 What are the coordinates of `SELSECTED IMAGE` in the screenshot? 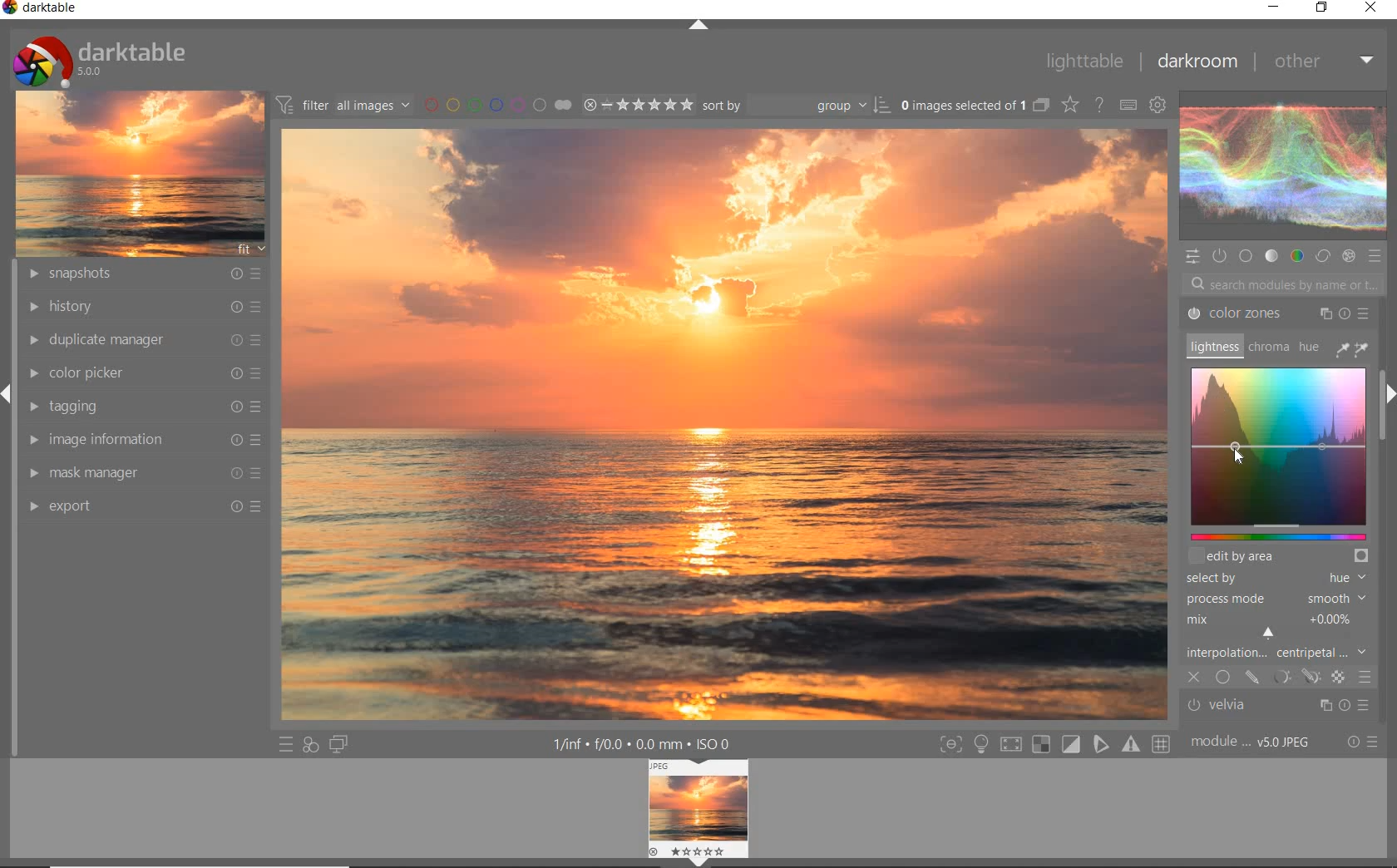 It's located at (960, 105).